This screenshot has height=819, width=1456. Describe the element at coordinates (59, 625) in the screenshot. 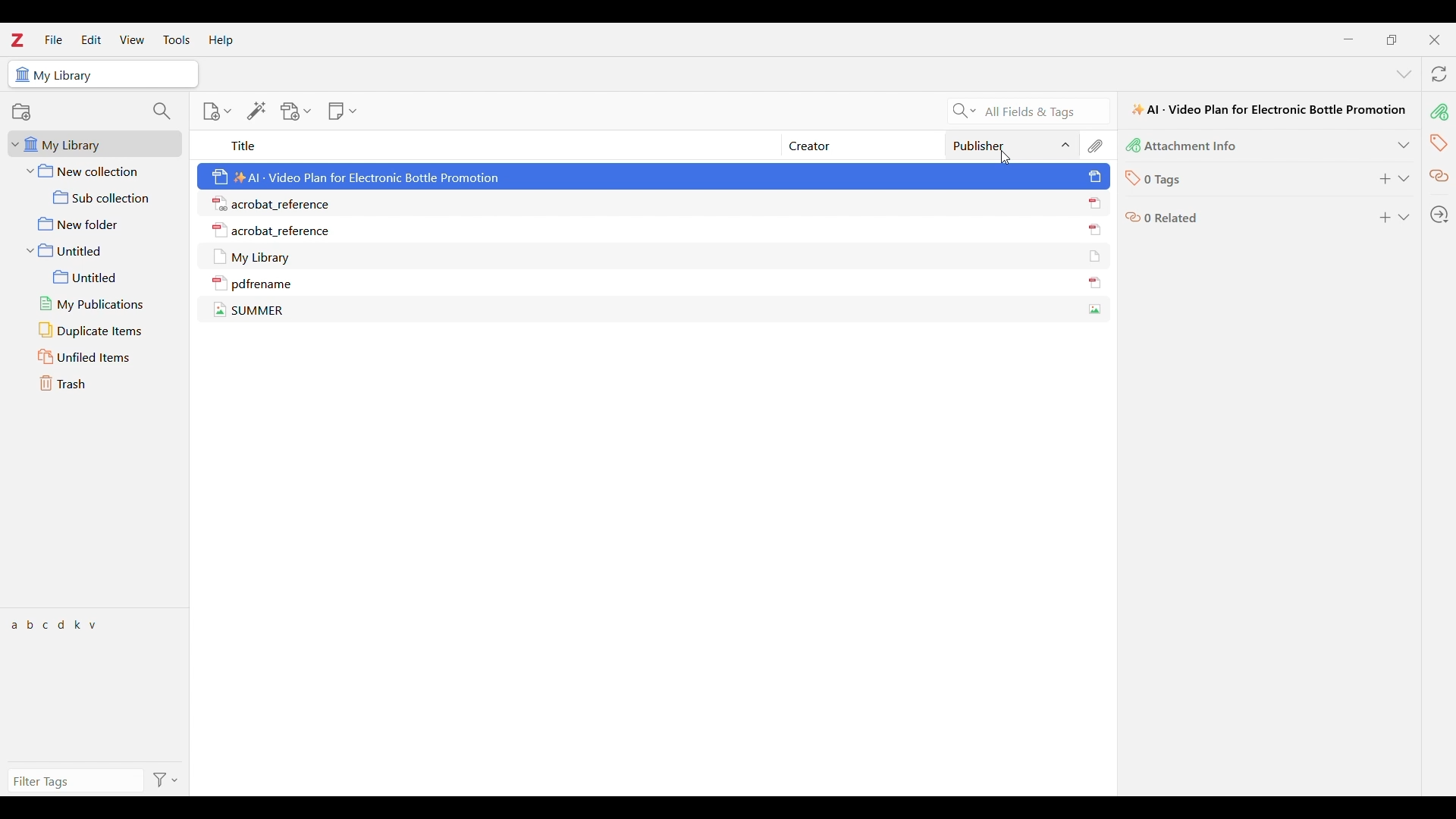

I see `a b c d k y v` at that location.